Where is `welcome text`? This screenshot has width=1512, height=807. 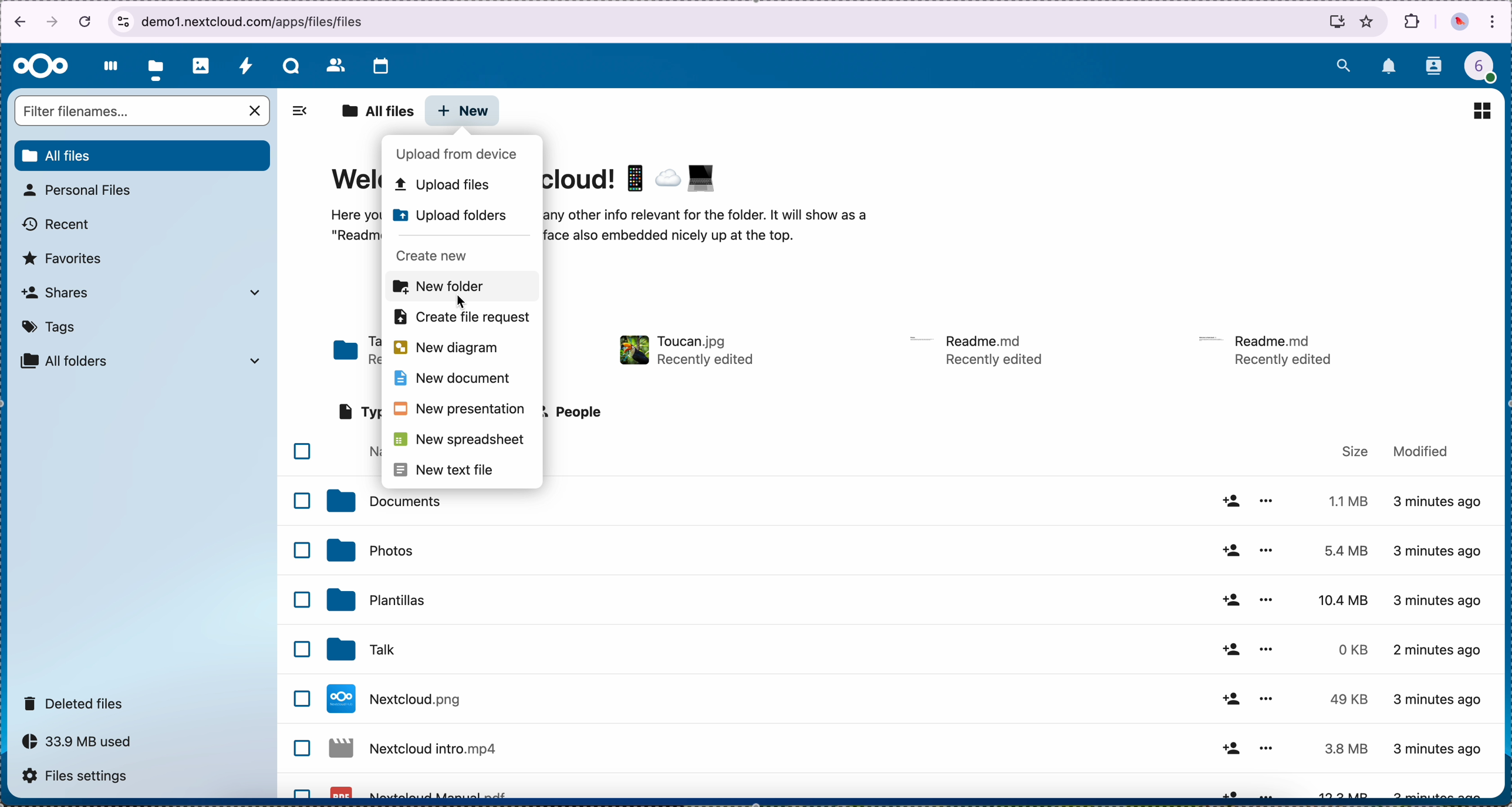 welcome text is located at coordinates (708, 229).